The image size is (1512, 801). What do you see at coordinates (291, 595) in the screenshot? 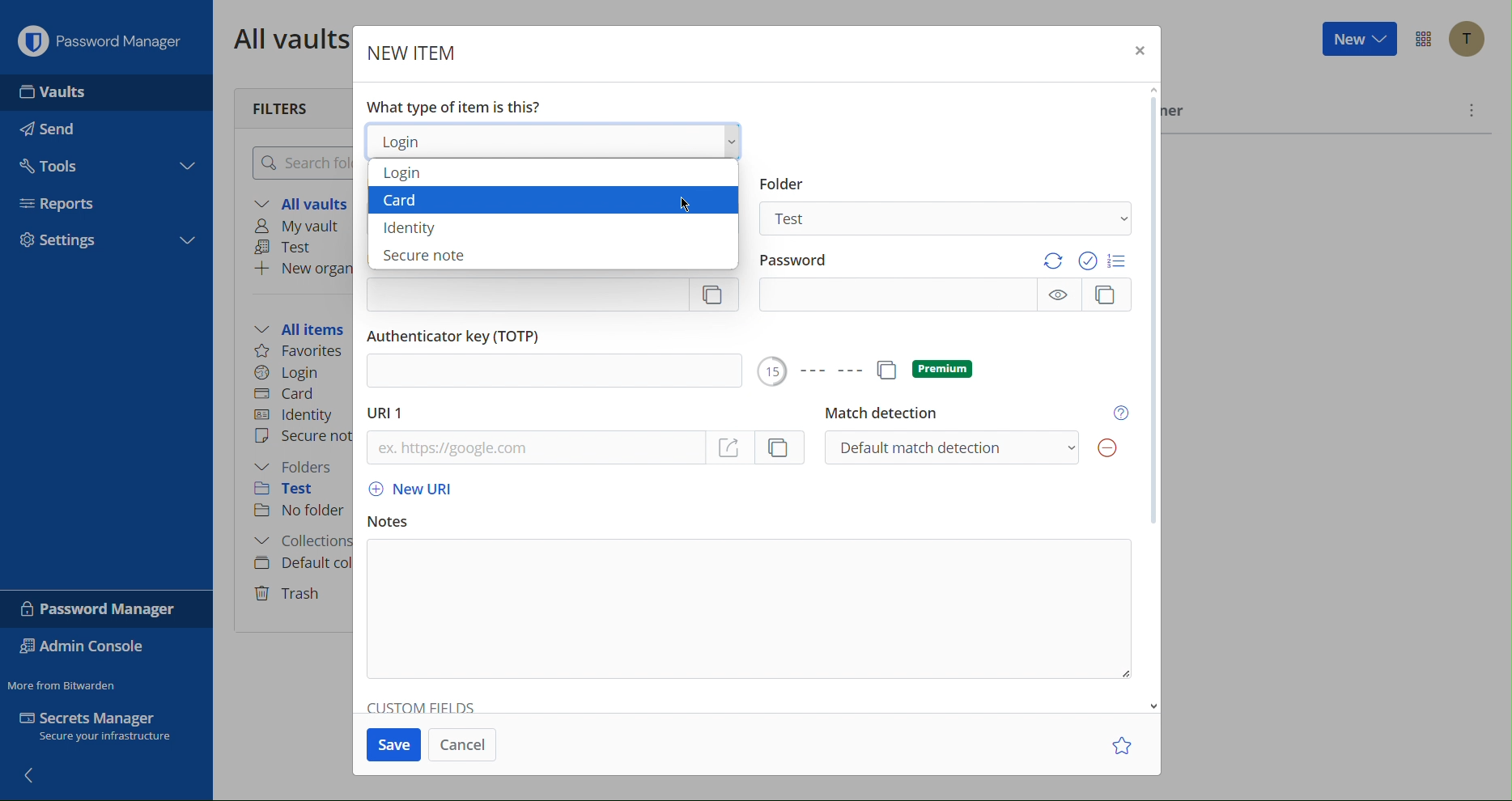
I see `Trash` at bounding box center [291, 595].